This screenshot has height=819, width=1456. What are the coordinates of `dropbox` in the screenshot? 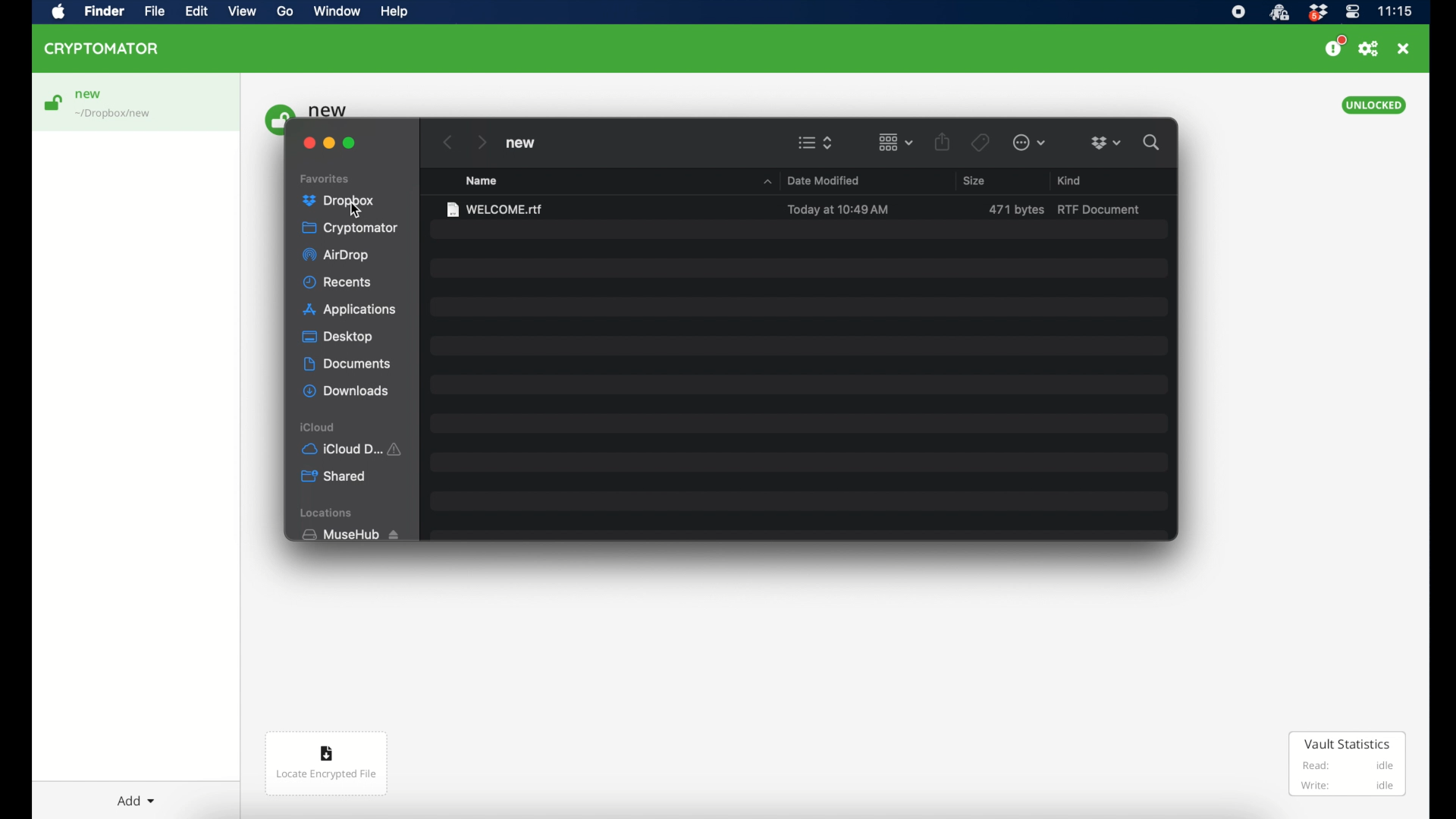 It's located at (338, 201).